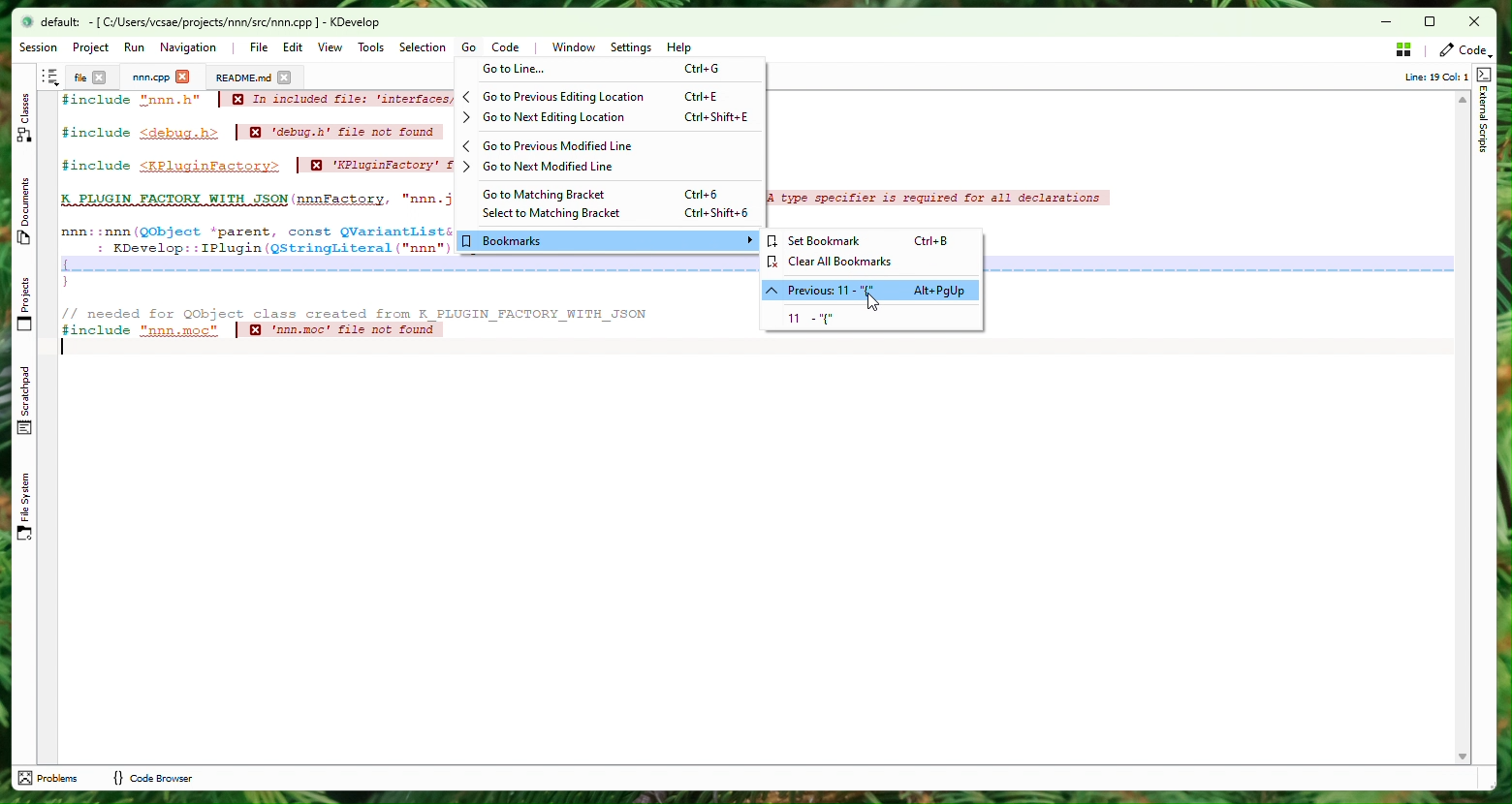 This screenshot has width=1512, height=804. Describe the element at coordinates (873, 302) in the screenshot. I see `cursor` at that location.